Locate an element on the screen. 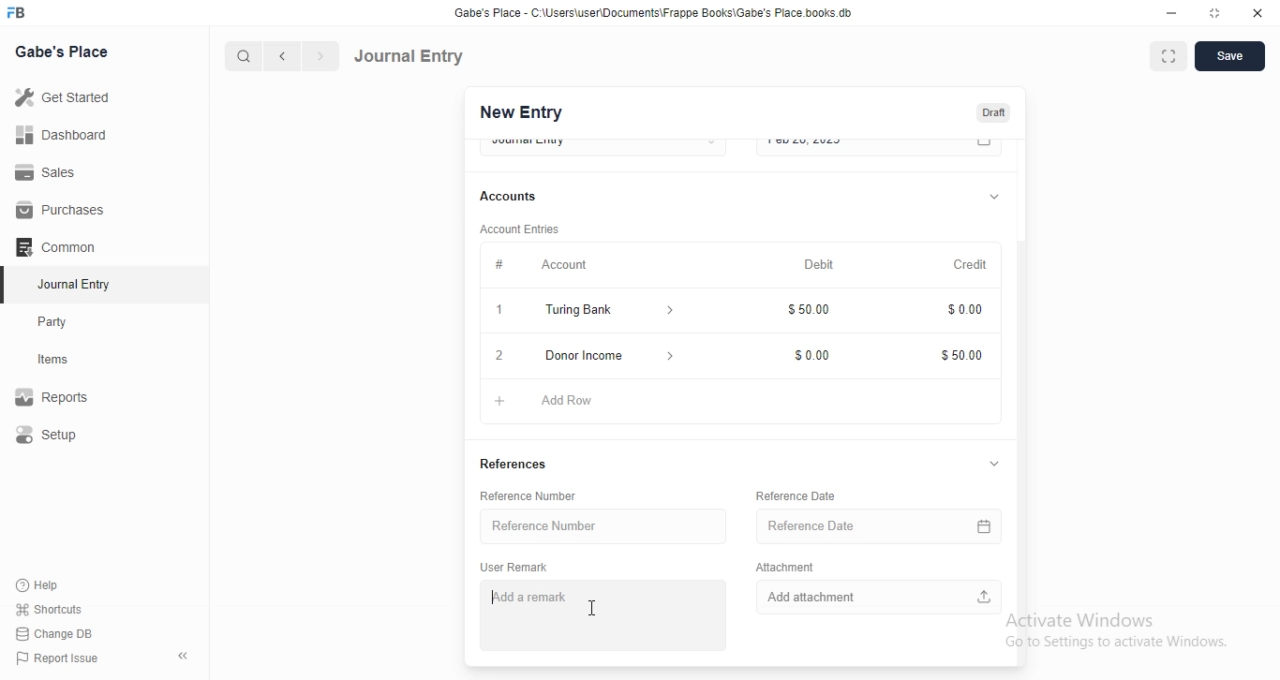  Reference Number is located at coordinates (597, 525).